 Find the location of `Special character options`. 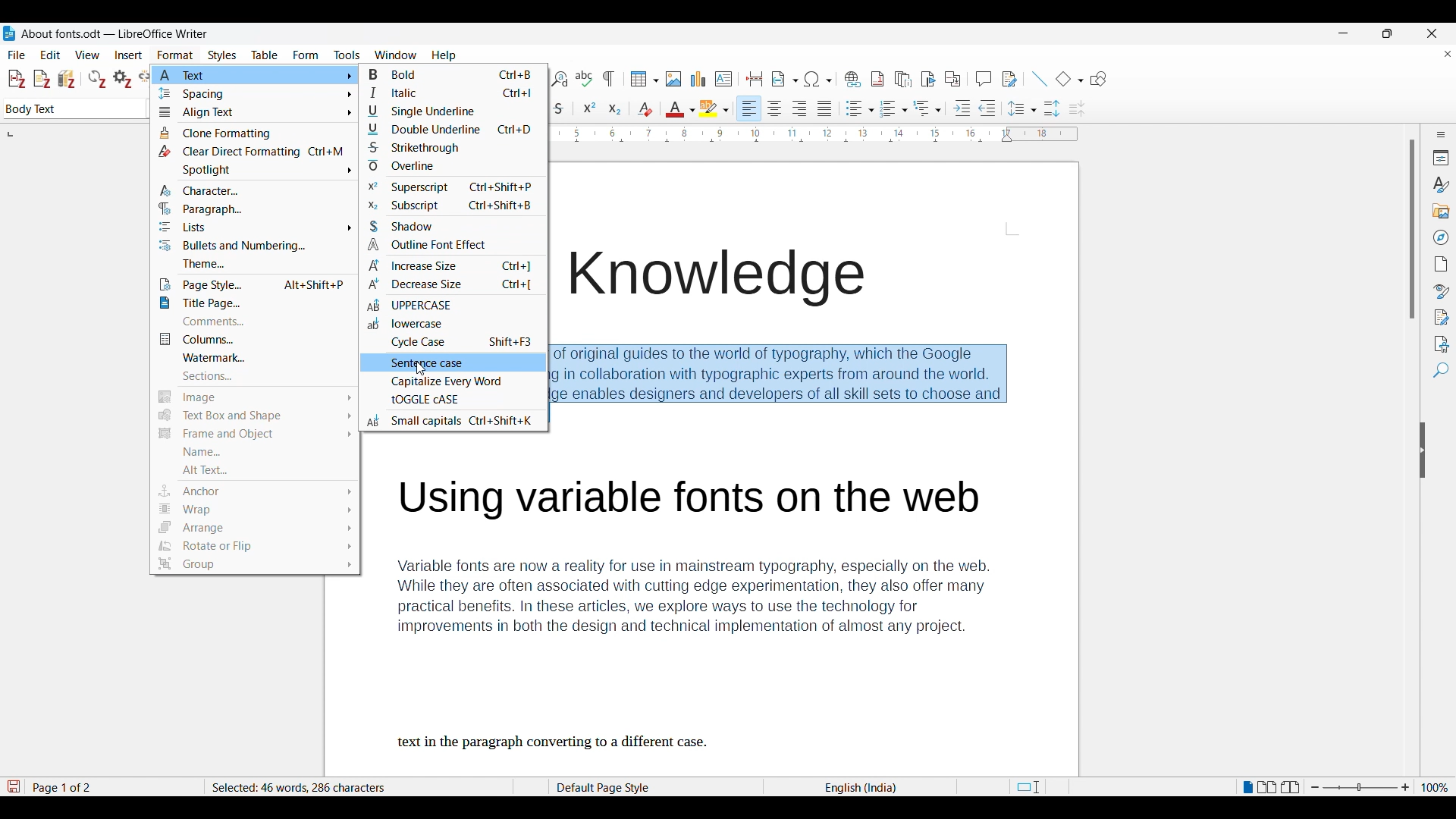

Special character options is located at coordinates (819, 79).